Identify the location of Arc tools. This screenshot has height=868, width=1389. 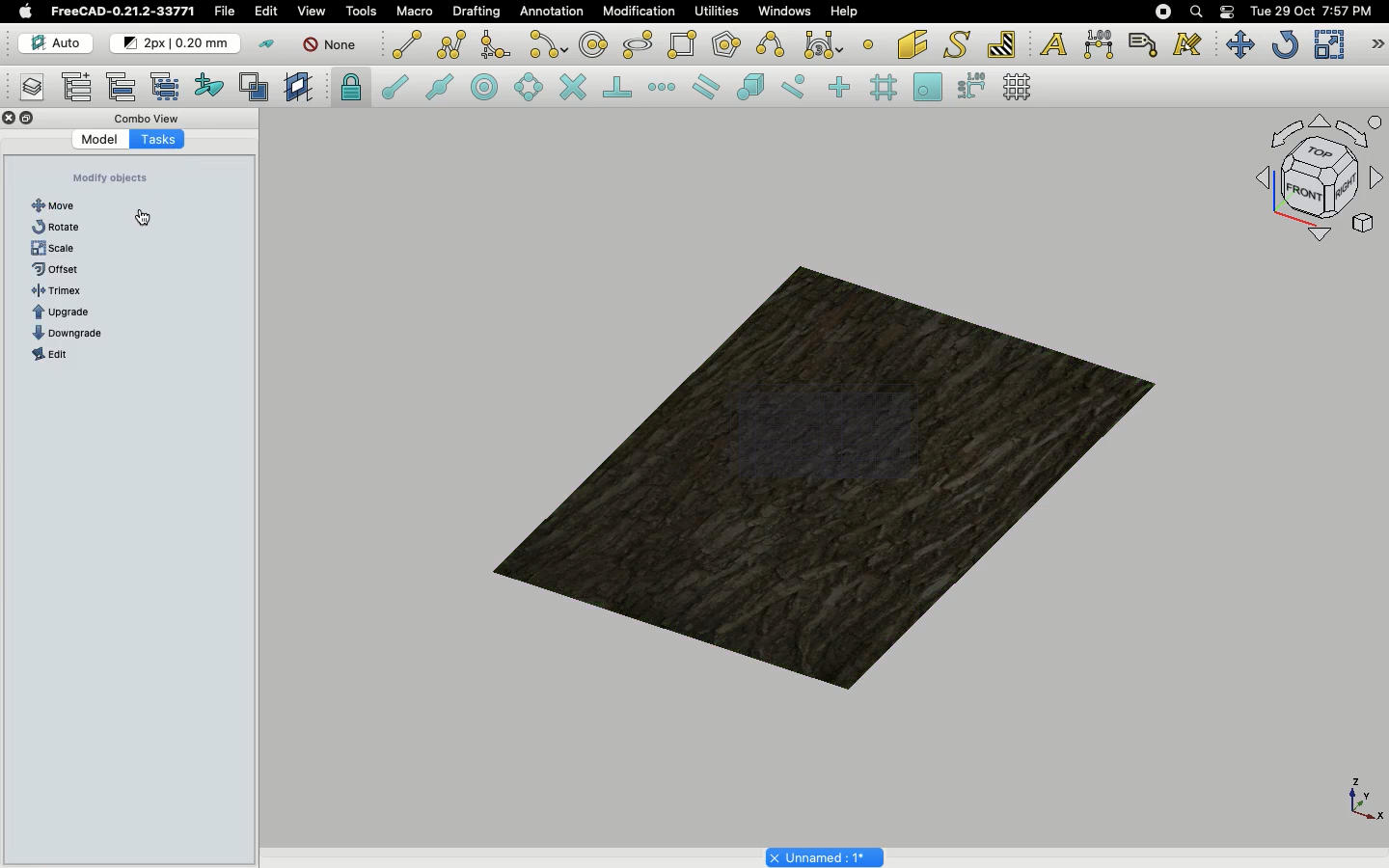
(547, 46).